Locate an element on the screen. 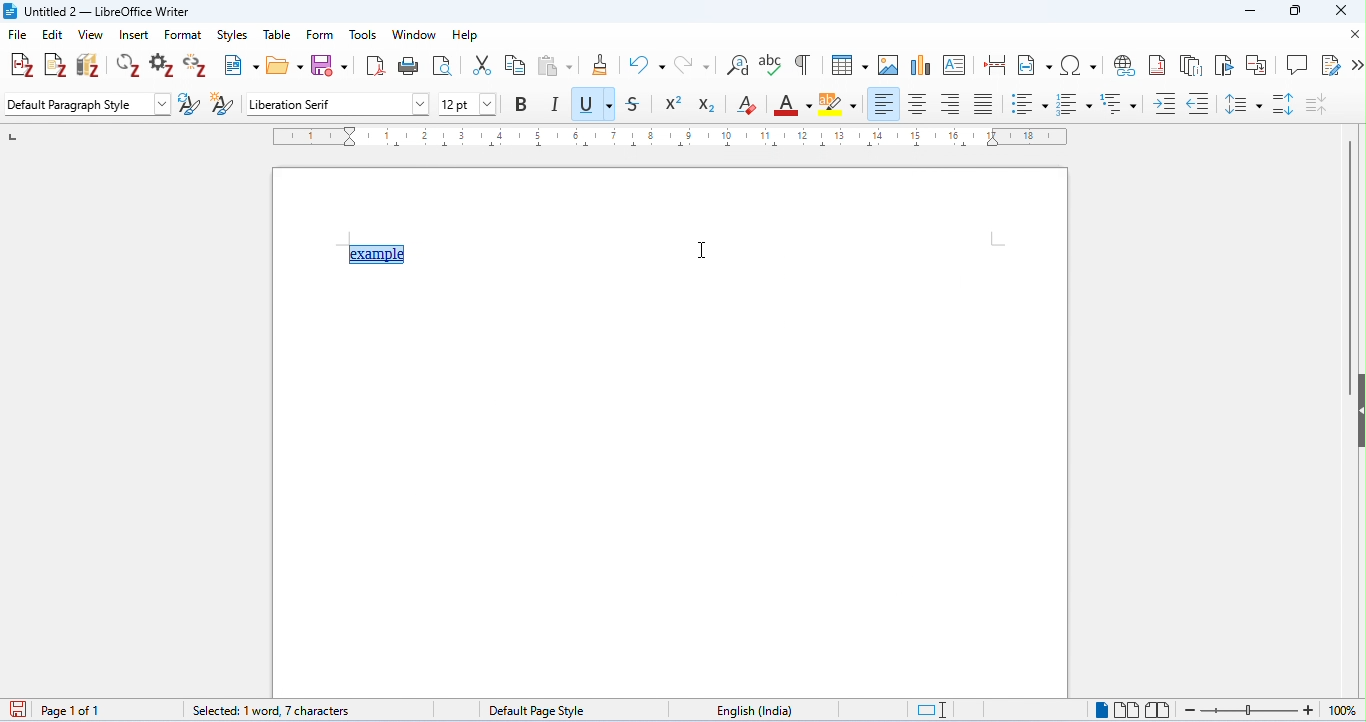 Image resolution: width=1366 pixels, height=722 pixels. underline is located at coordinates (596, 105).